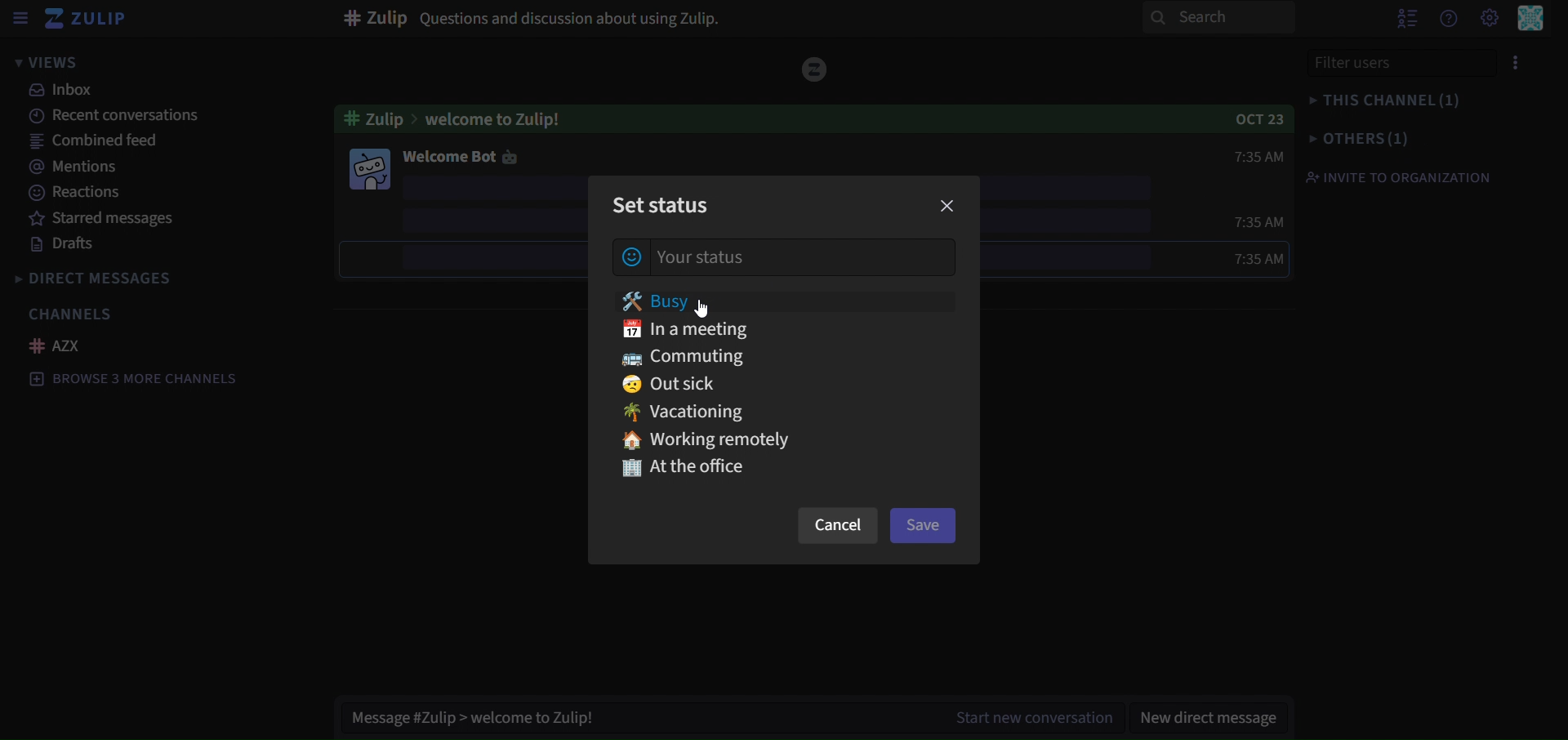 This screenshot has height=740, width=1568. Describe the element at coordinates (688, 358) in the screenshot. I see `commuting` at that location.